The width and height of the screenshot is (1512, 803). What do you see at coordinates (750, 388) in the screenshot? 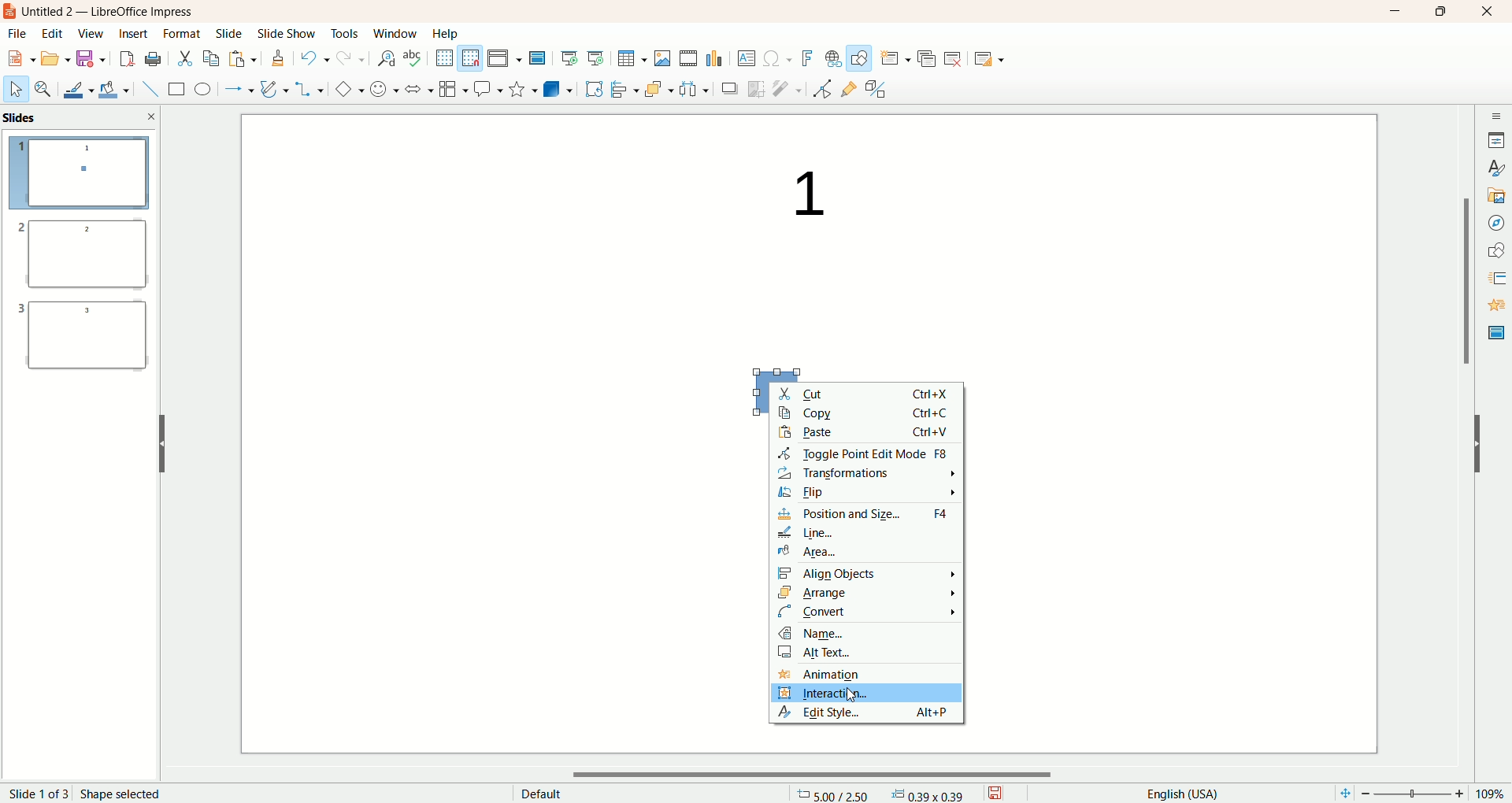
I see `shape` at bounding box center [750, 388].